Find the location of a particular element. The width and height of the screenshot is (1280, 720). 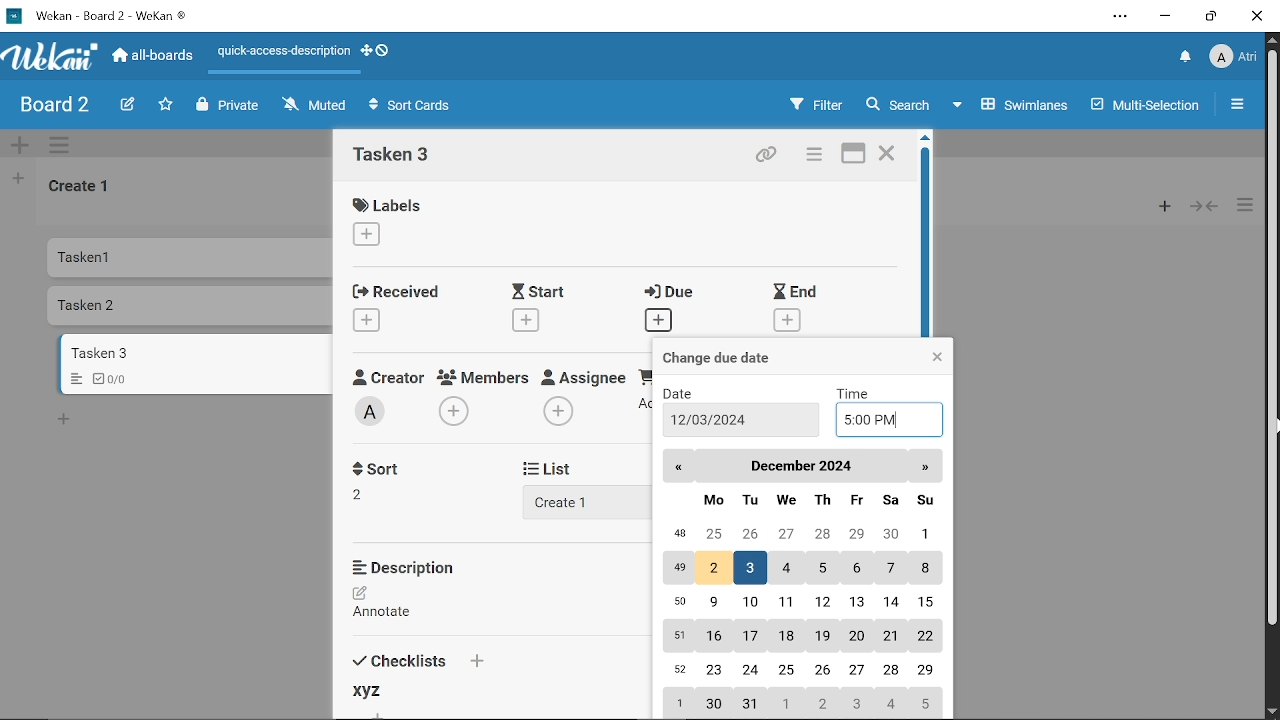

Copy link of this card to clipboard is located at coordinates (764, 155).